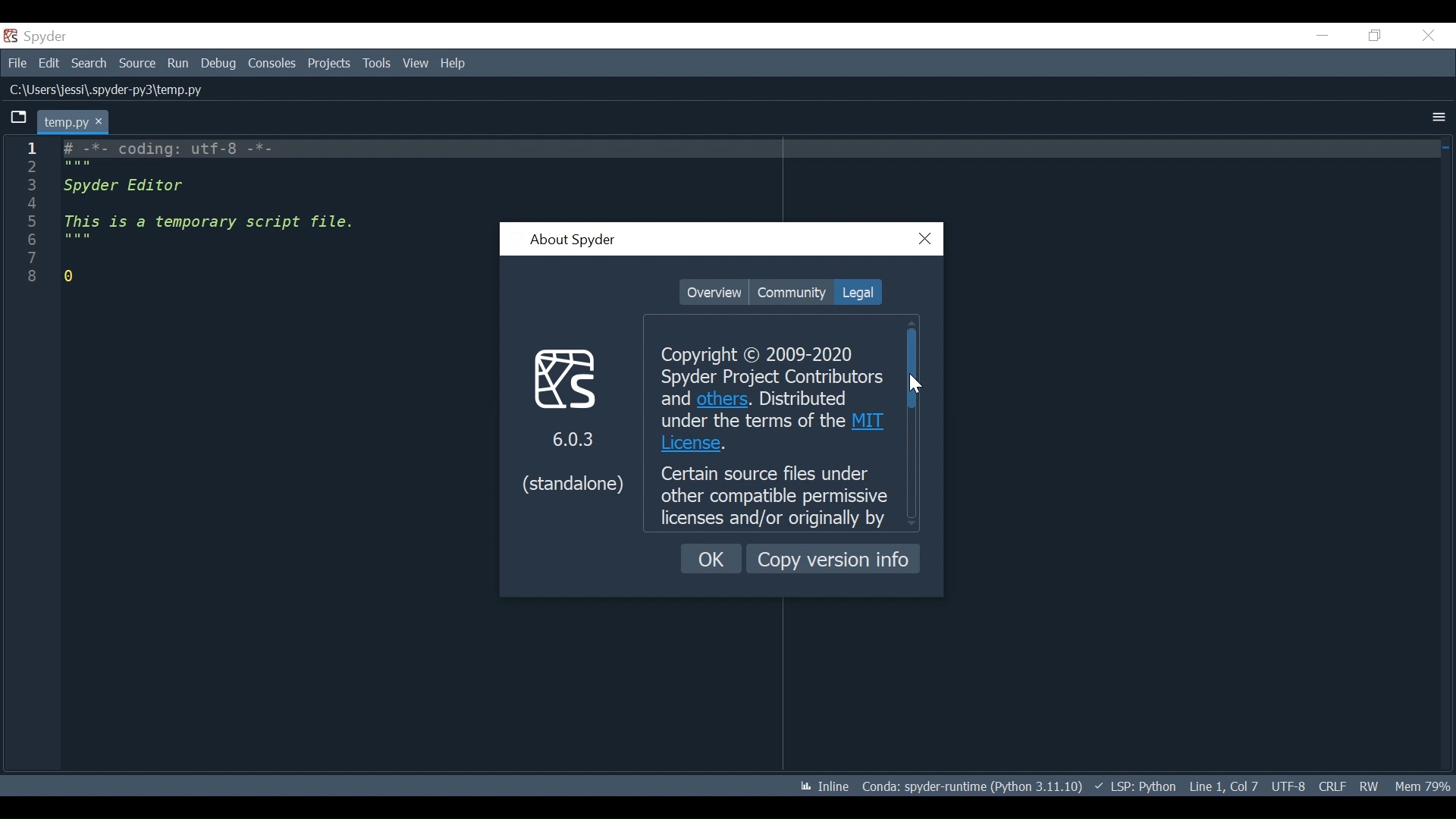  I want to click on About Spyder, so click(572, 241).